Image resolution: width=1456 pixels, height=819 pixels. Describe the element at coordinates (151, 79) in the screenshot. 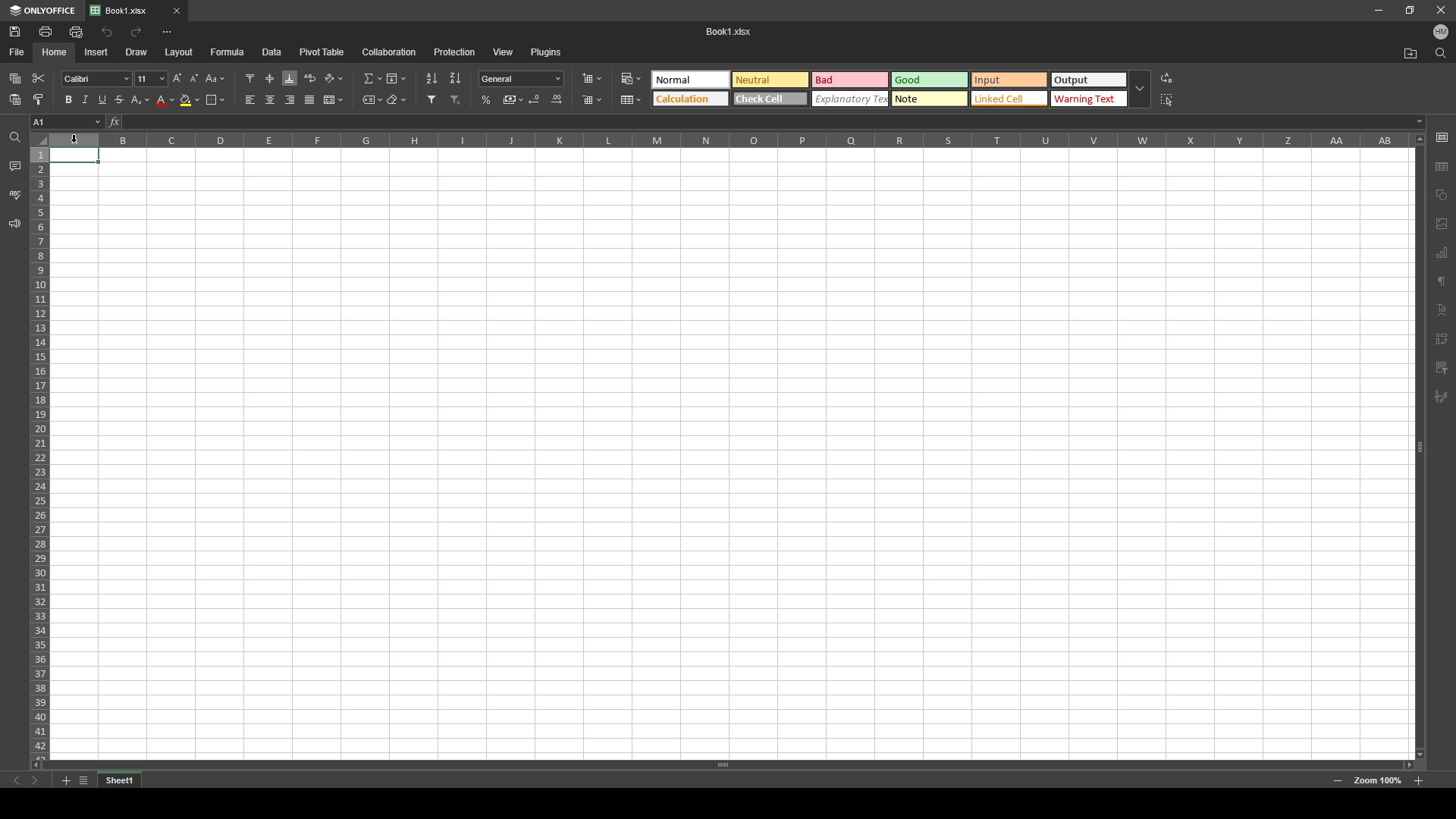

I see `font size` at that location.